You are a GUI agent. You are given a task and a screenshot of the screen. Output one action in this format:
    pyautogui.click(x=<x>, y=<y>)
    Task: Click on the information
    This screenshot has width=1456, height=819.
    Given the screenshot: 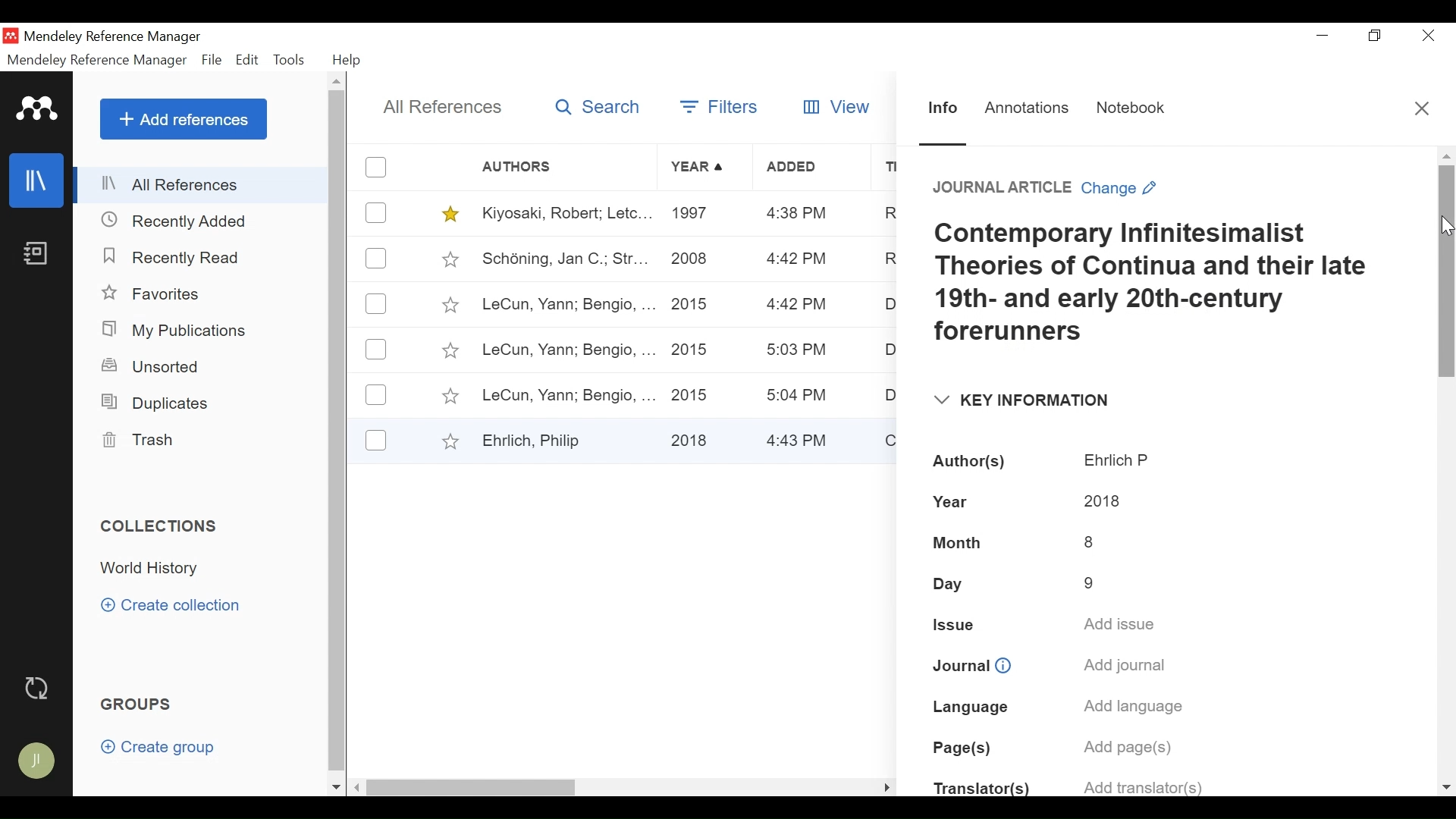 What is the action you would take?
    pyautogui.click(x=1007, y=663)
    